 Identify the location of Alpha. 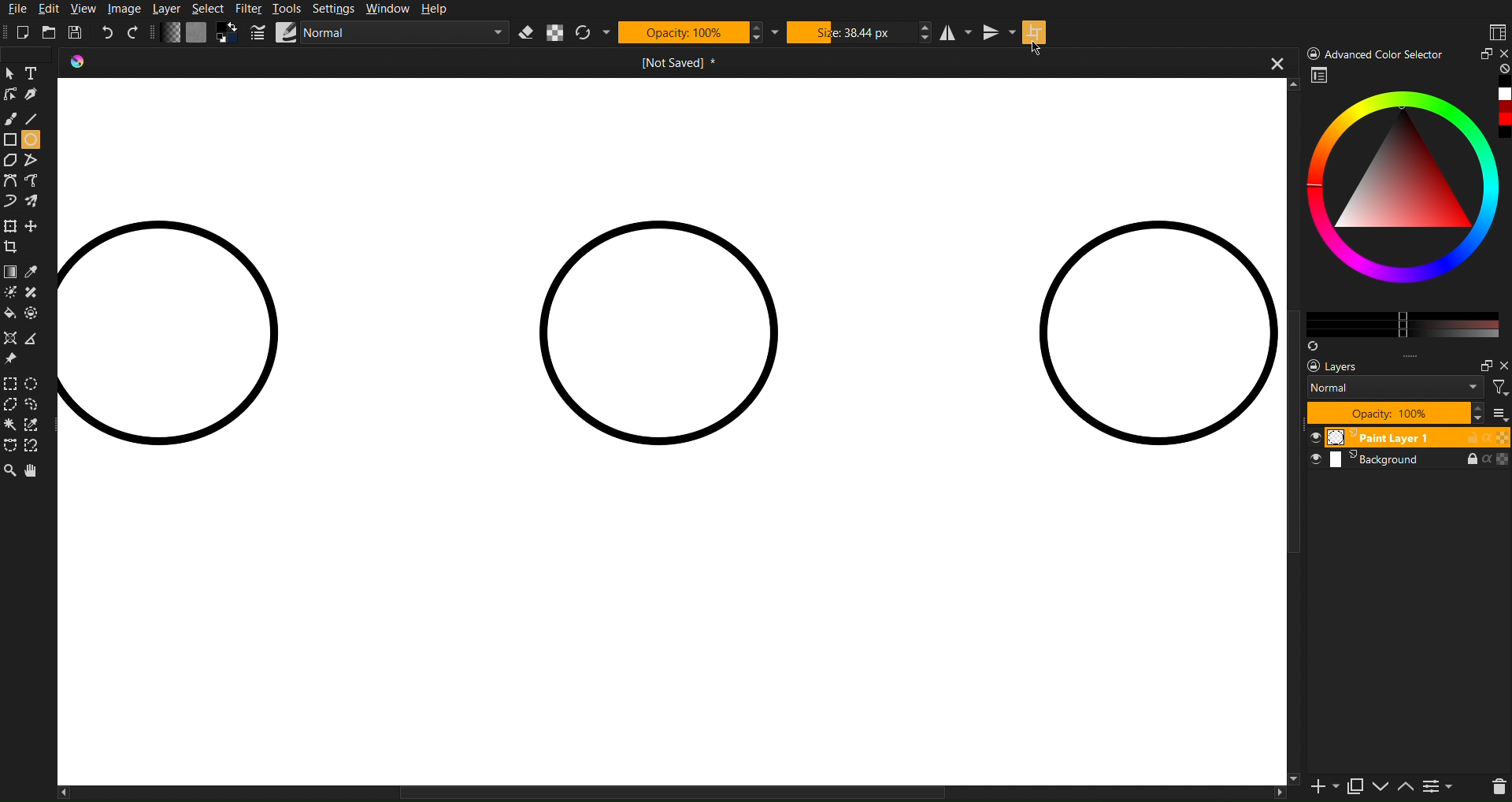
(555, 34).